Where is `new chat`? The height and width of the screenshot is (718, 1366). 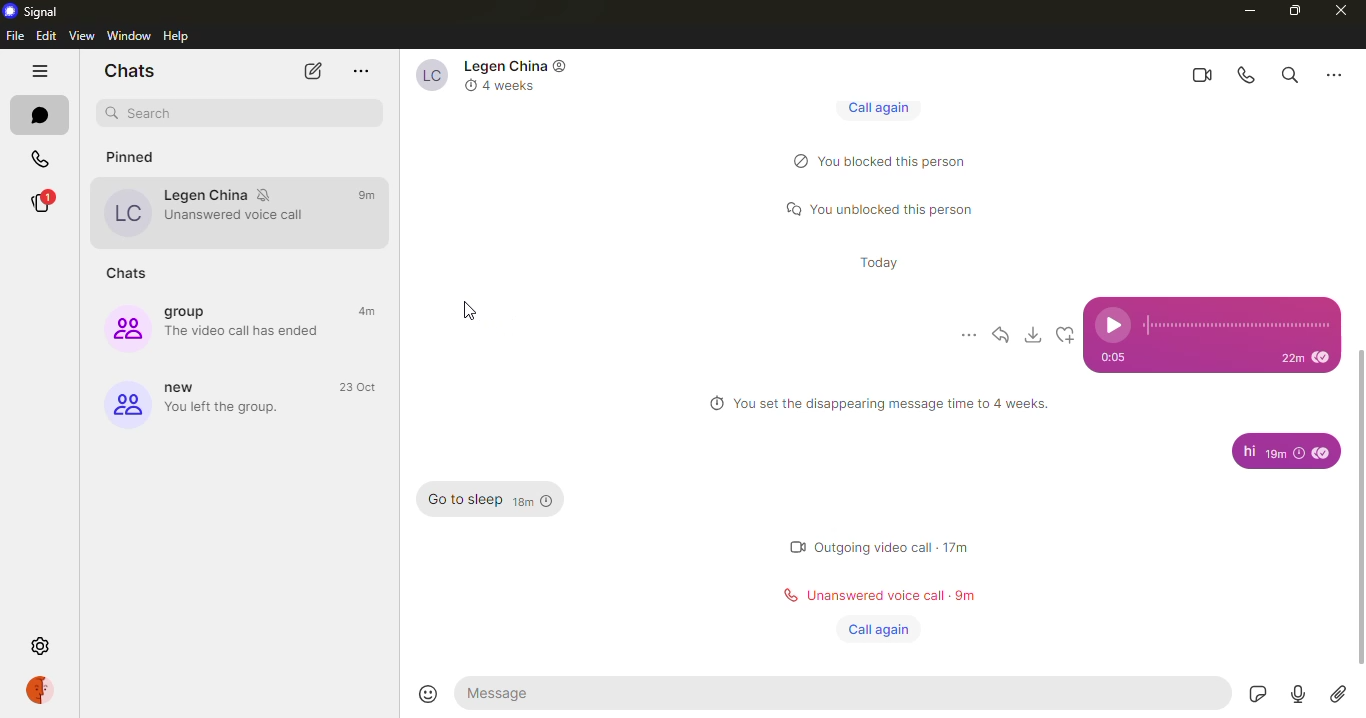 new chat is located at coordinates (311, 72).